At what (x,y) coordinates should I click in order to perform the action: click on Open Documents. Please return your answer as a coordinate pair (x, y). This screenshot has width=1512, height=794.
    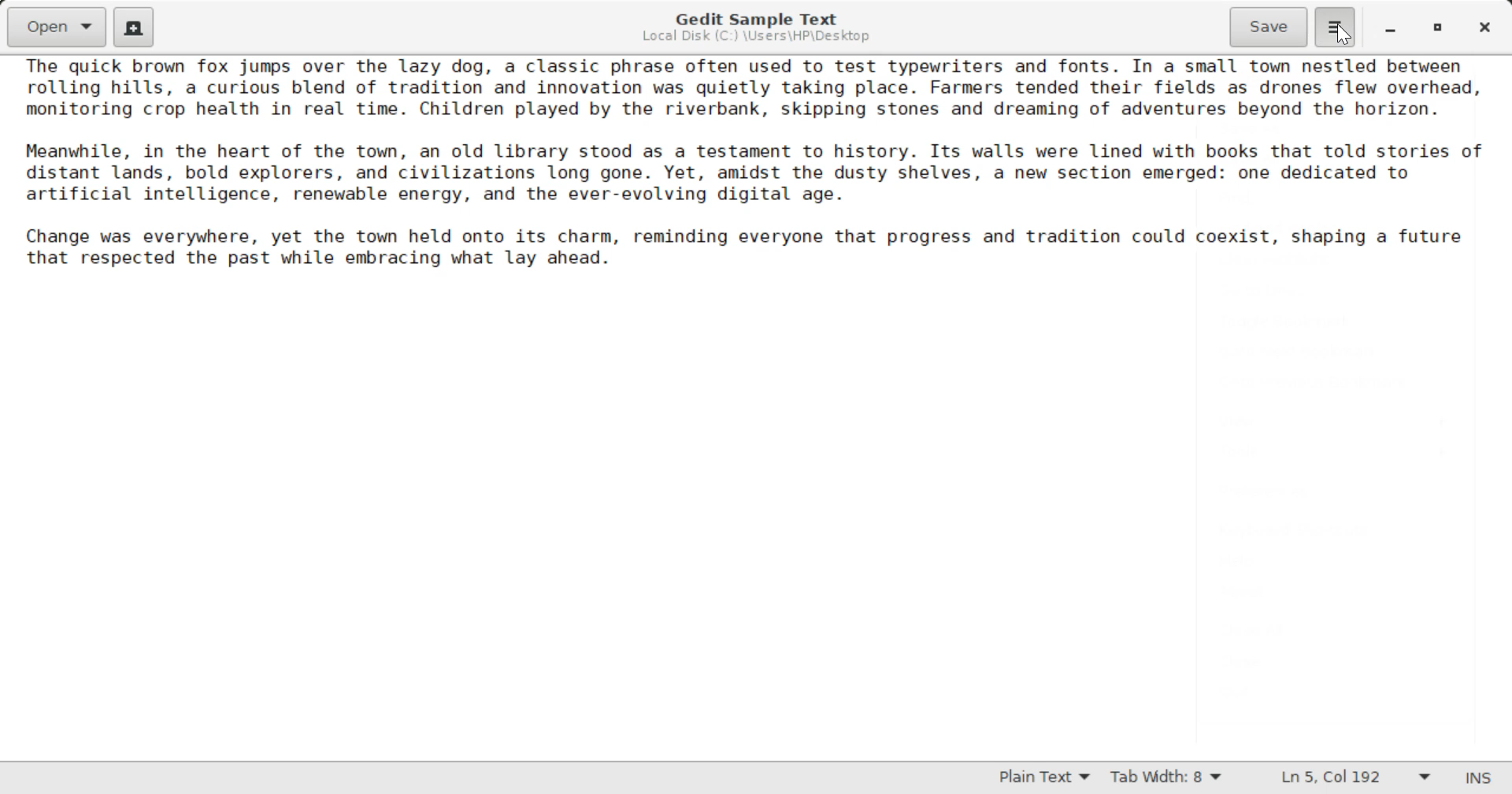
    Looking at the image, I should click on (58, 27).